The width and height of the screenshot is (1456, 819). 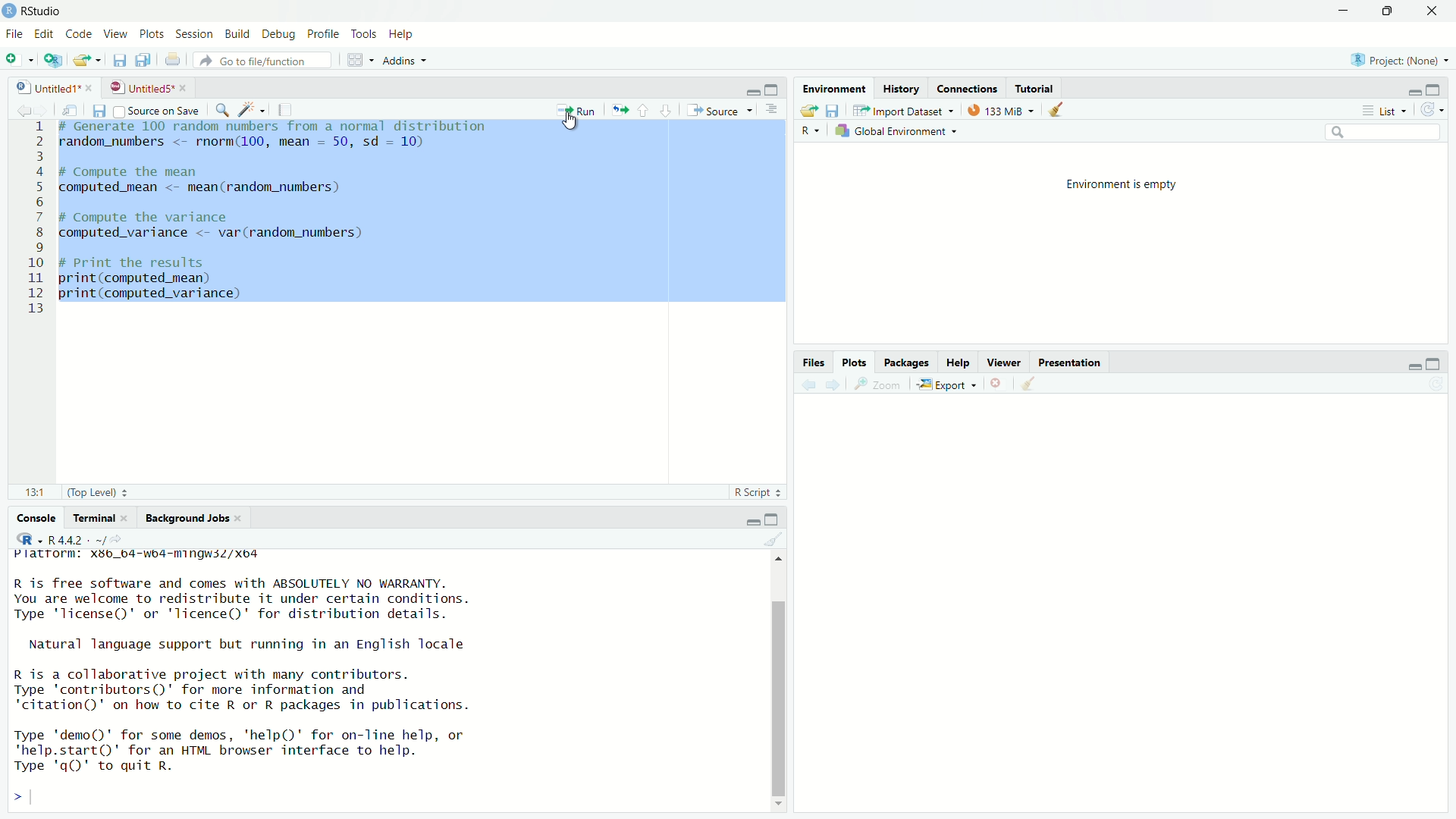 I want to click on list, so click(x=1385, y=111).